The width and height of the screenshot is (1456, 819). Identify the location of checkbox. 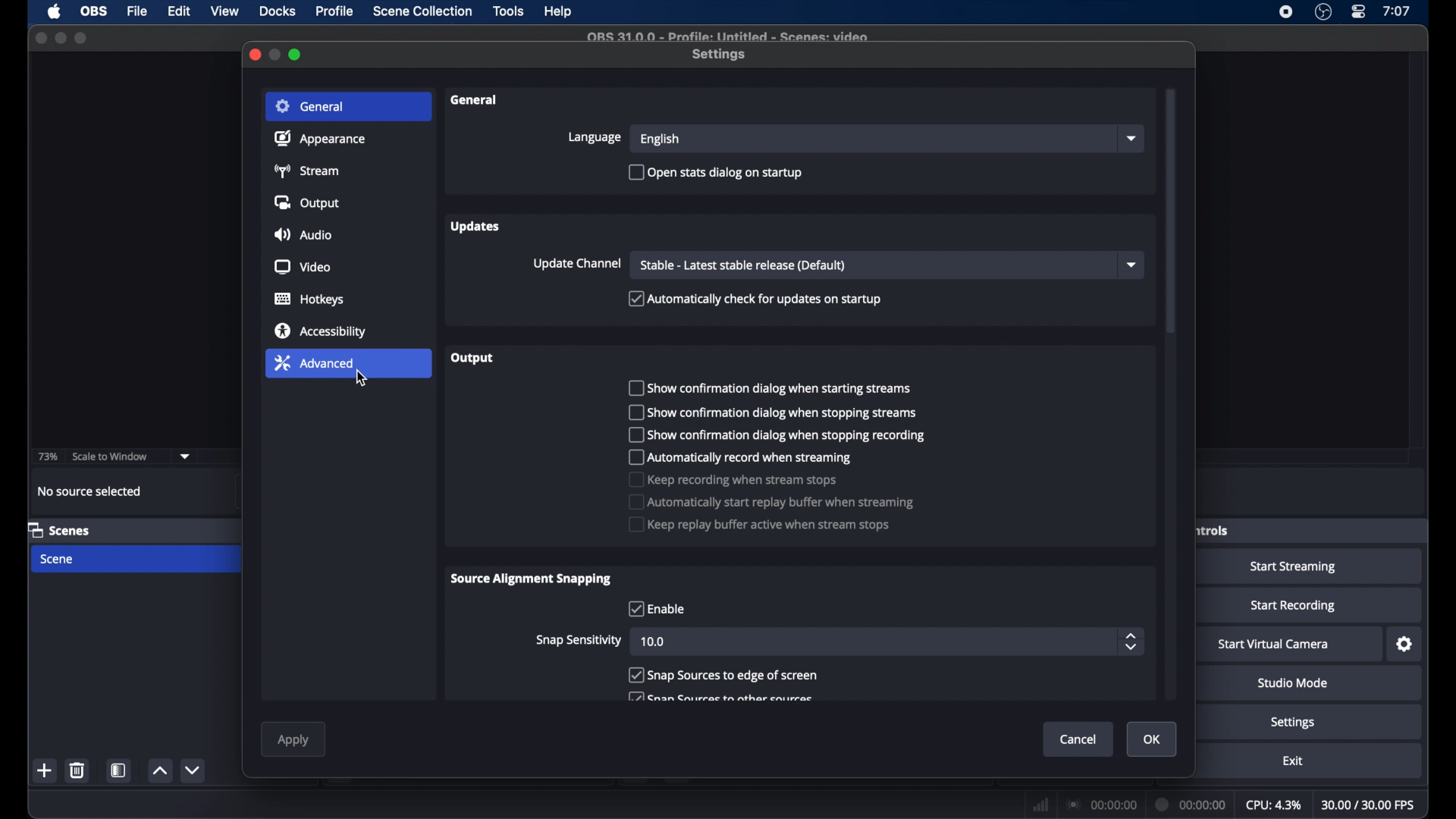
(755, 299).